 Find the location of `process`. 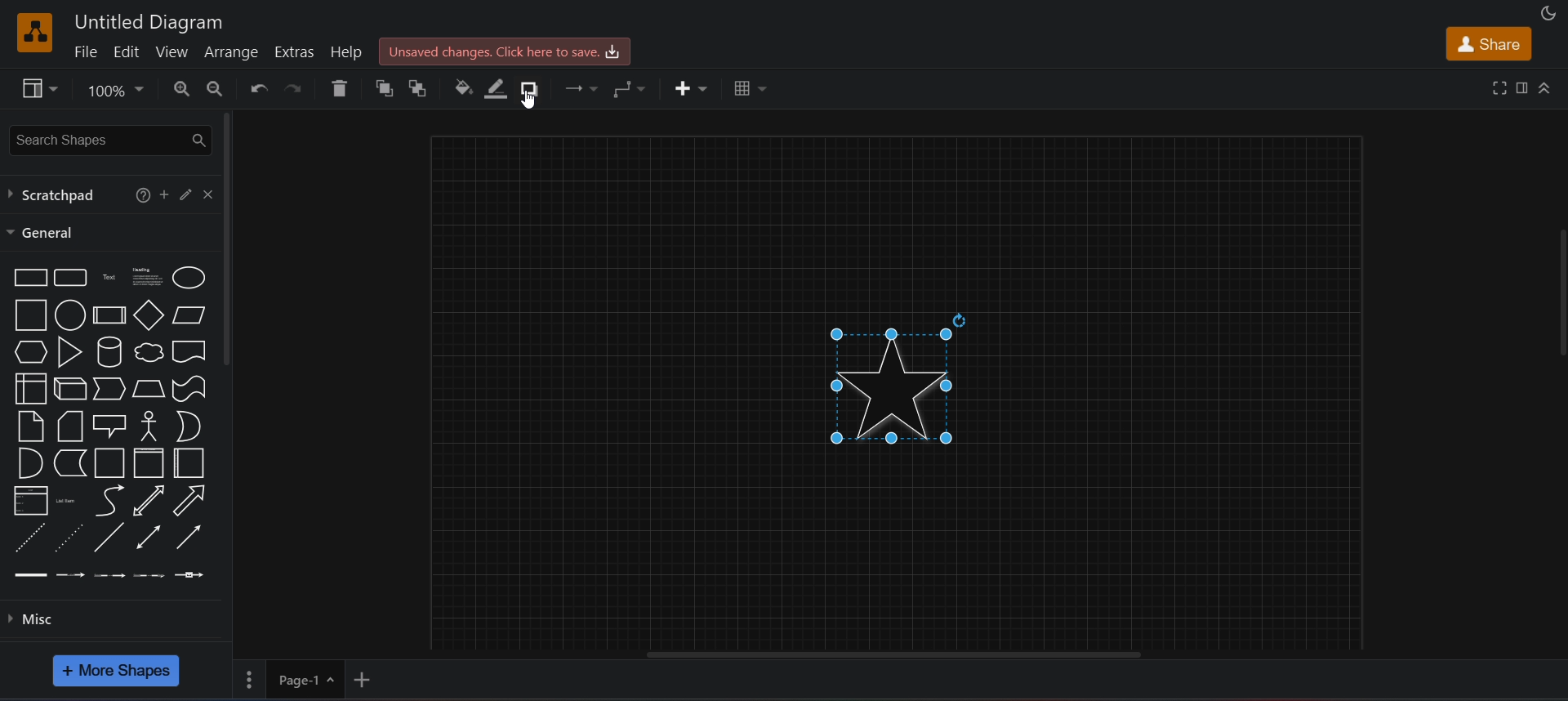

process is located at coordinates (109, 315).